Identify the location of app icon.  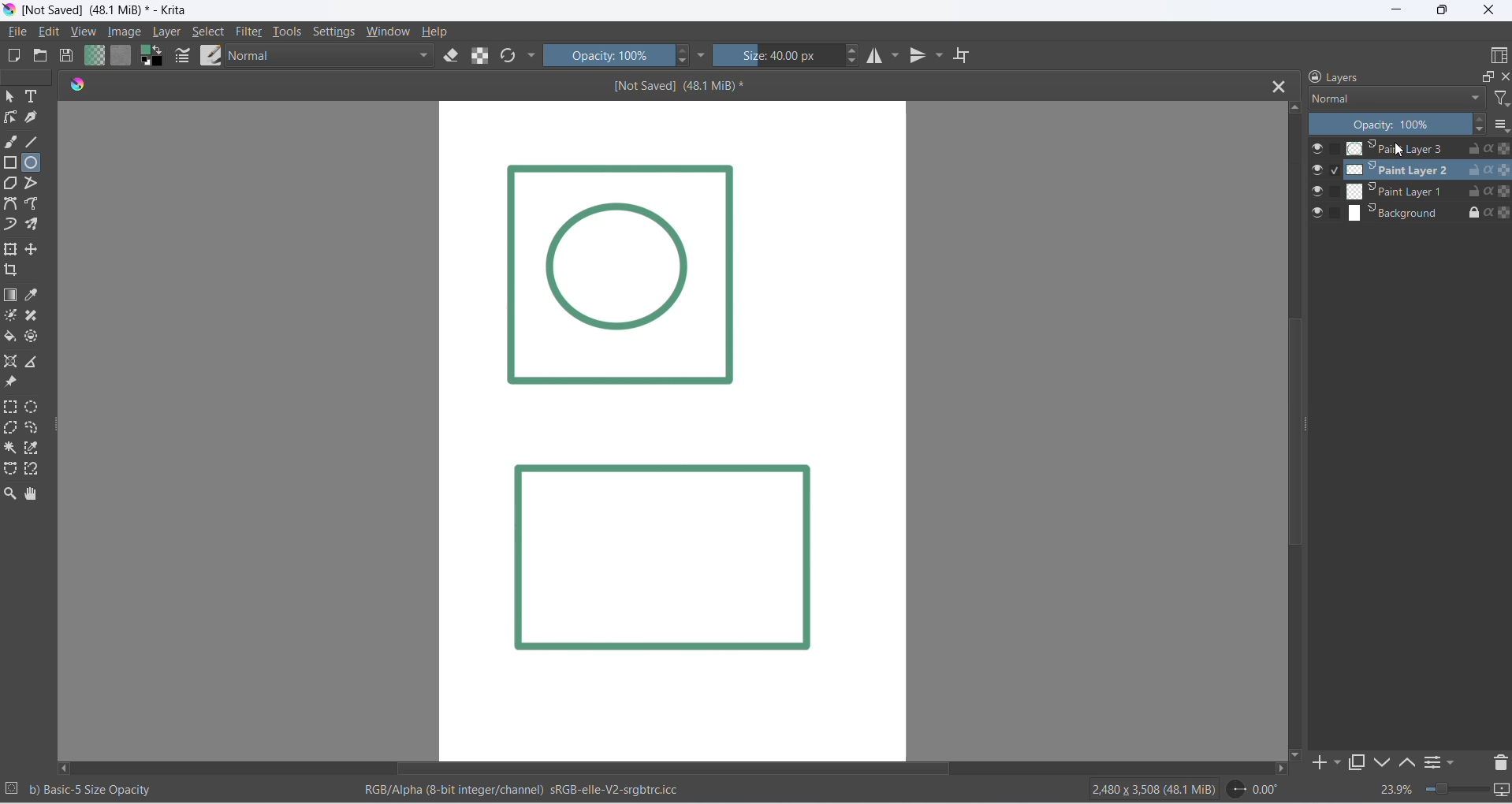
(10, 10).